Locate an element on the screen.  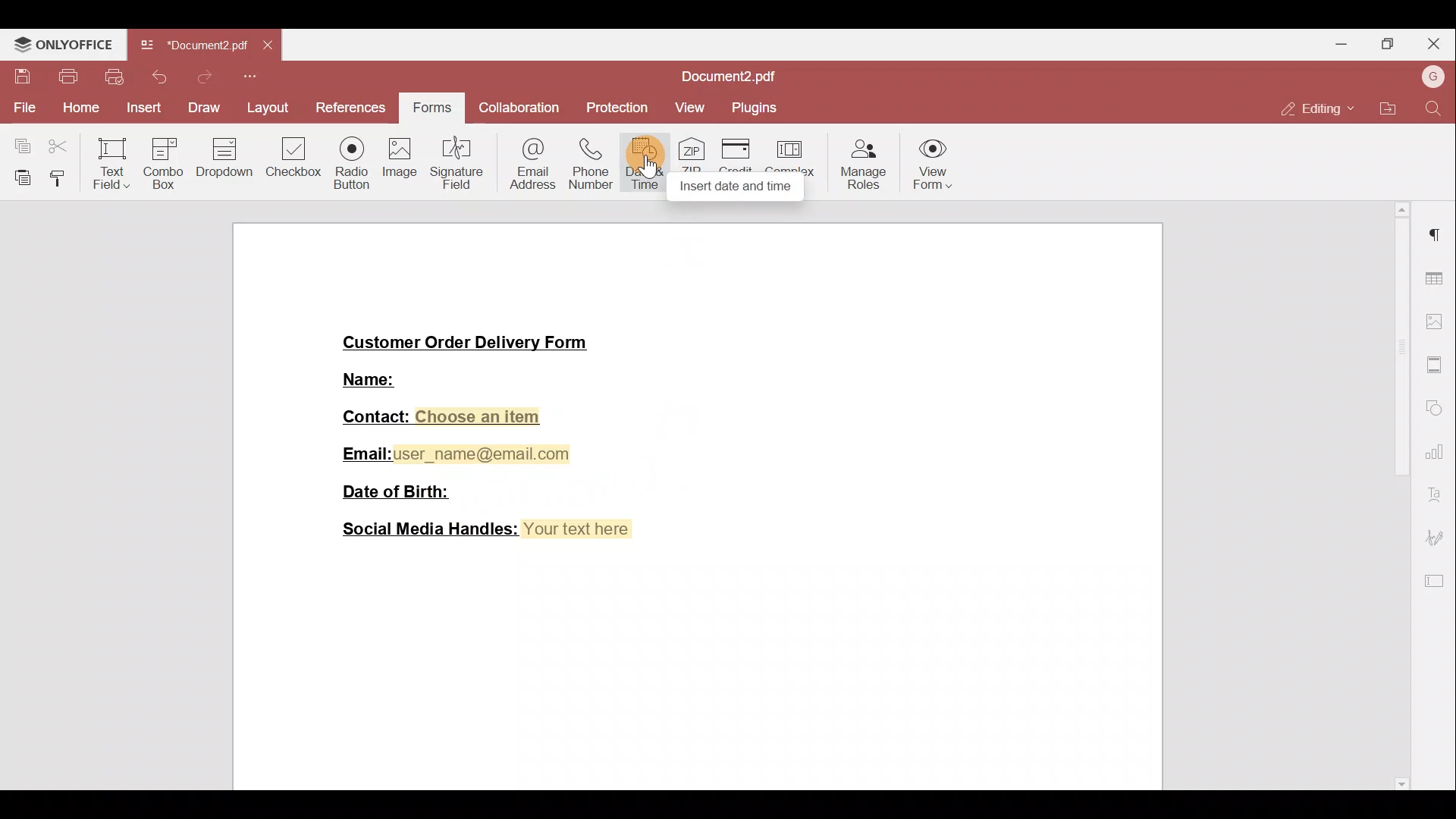
Signature field is located at coordinates (459, 161).